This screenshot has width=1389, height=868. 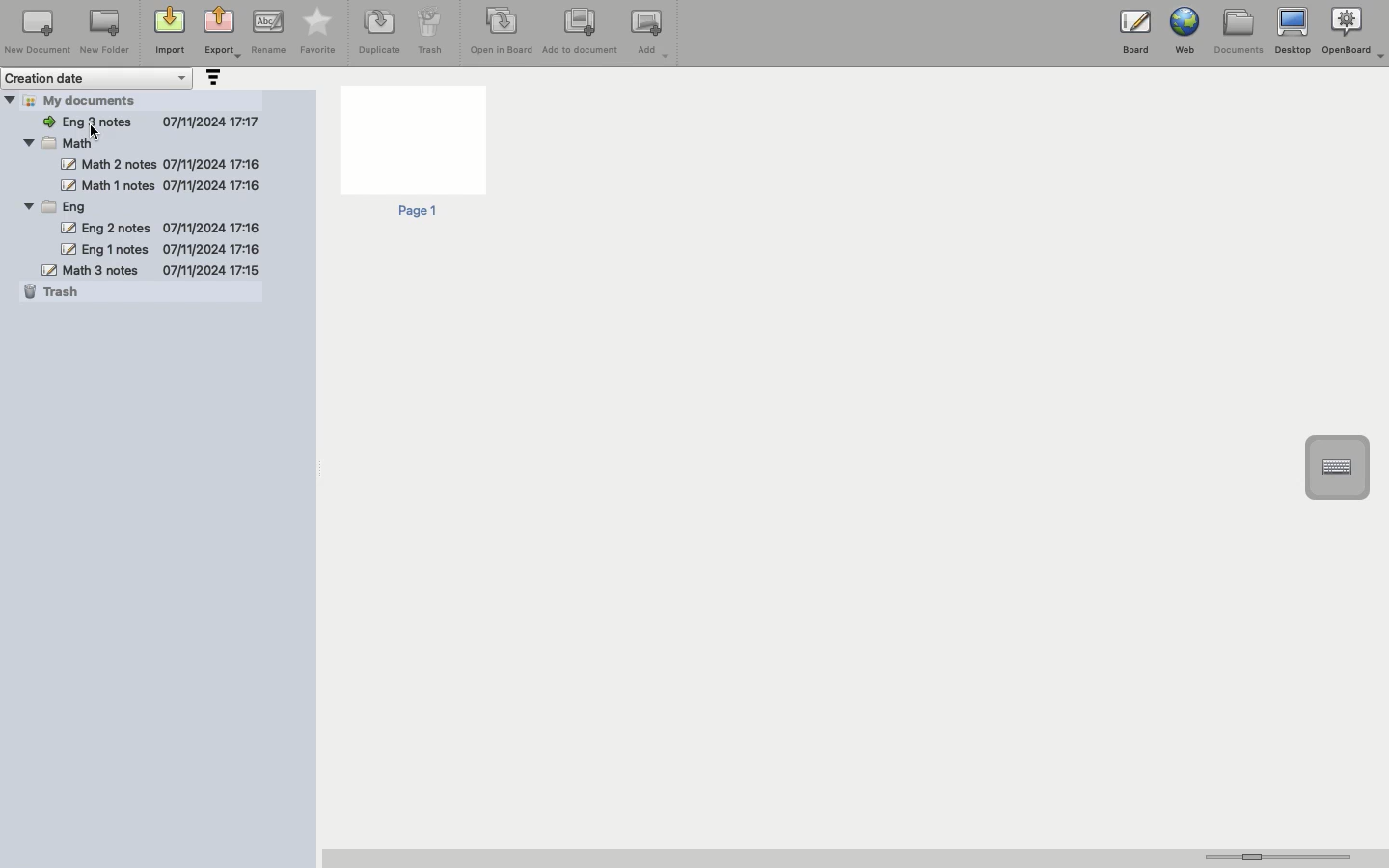 What do you see at coordinates (10, 99) in the screenshot?
I see `Hide` at bounding box center [10, 99].